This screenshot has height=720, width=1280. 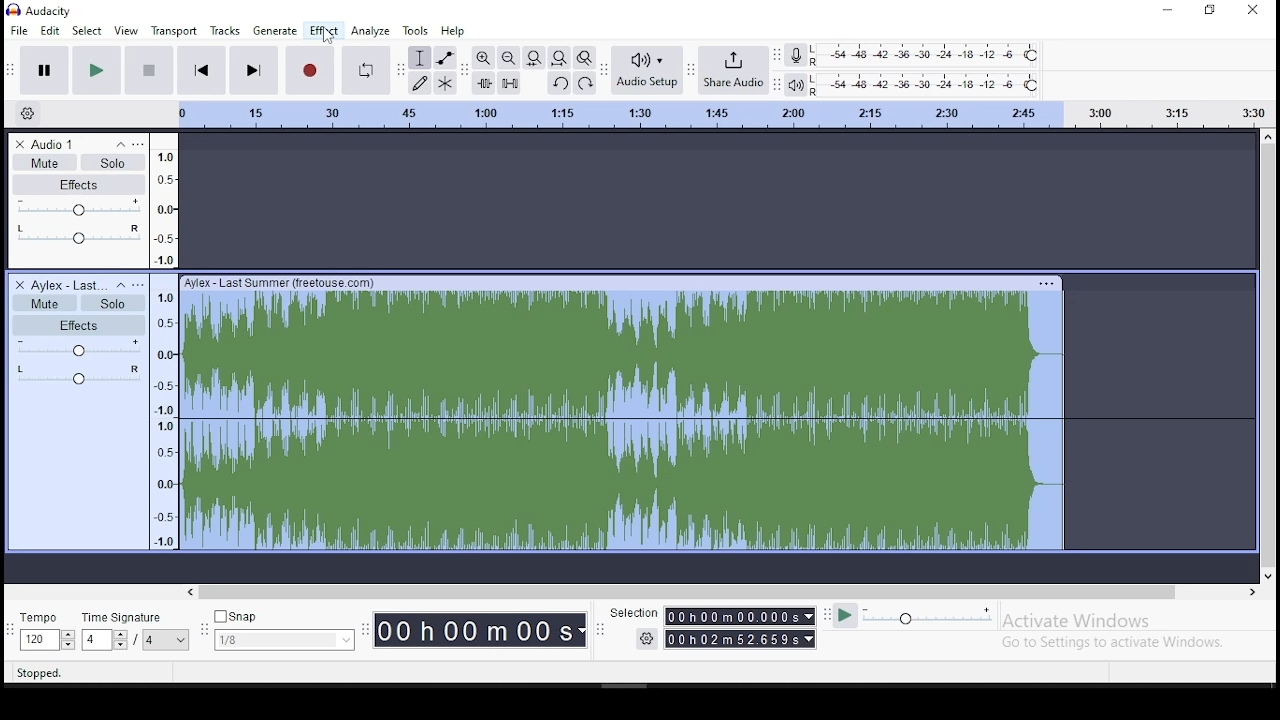 I want to click on envelope tool, so click(x=444, y=58).